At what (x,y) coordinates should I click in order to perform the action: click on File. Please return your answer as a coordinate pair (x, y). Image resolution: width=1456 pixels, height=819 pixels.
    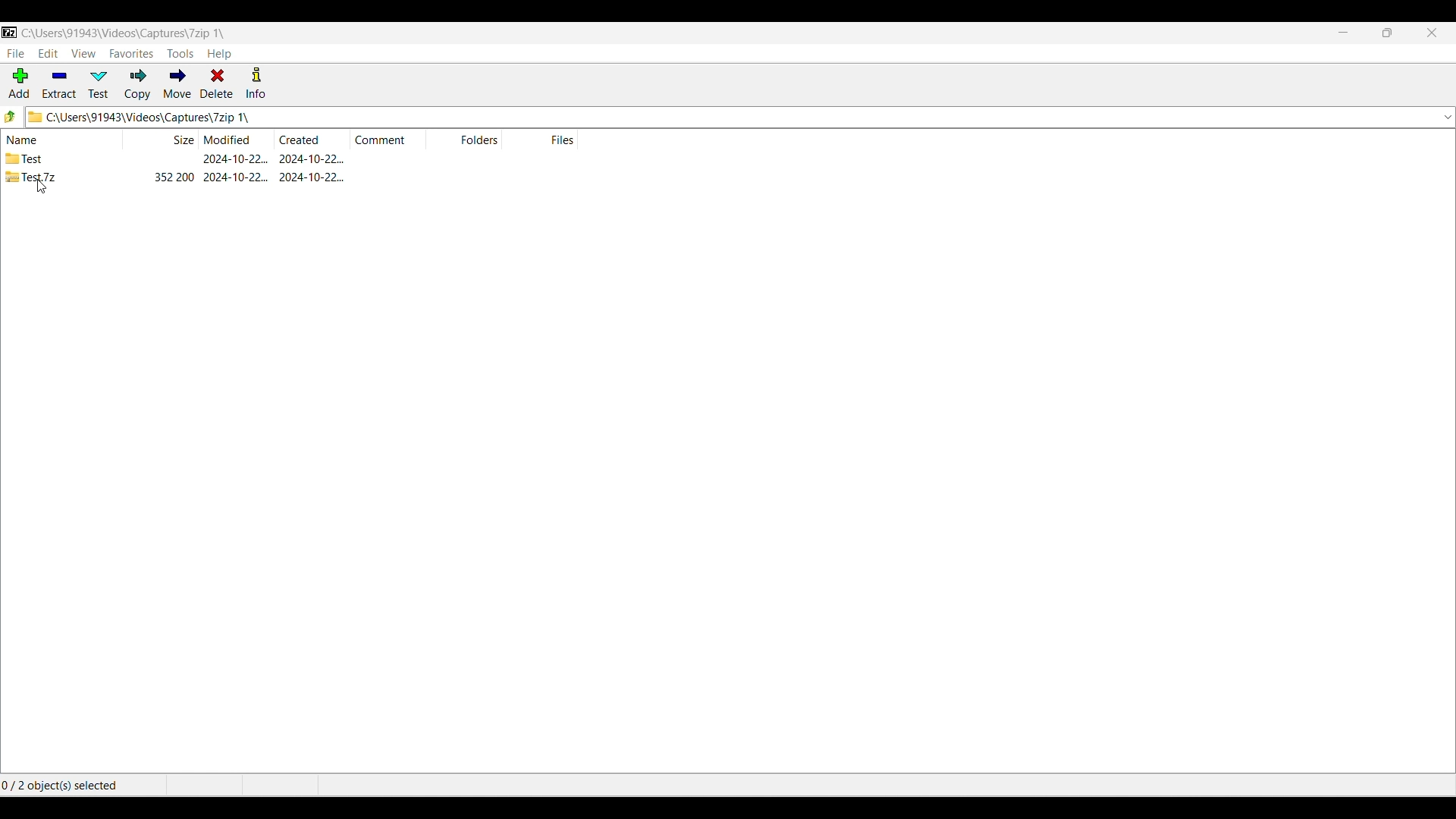
    Looking at the image, I should click on (15, 53).